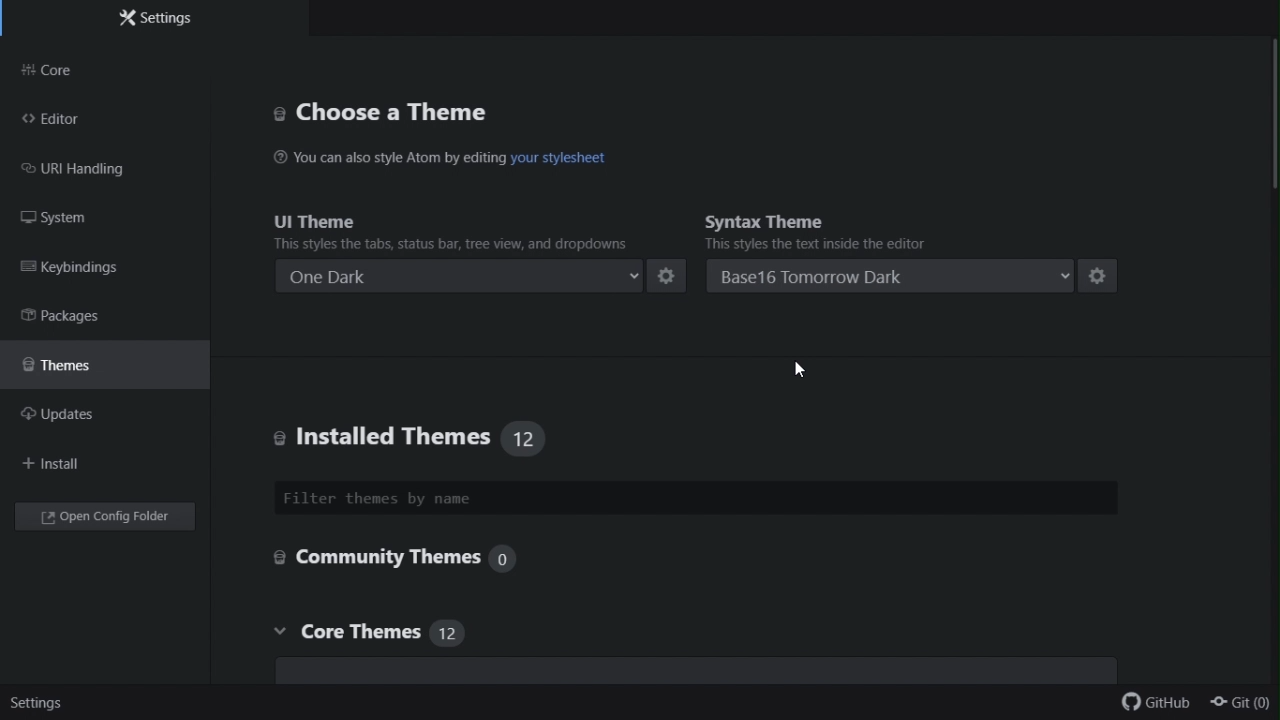 The width and height of the screenshot is (1280, 720). What do you see at coordinates (87, 172) in the screenshot?
I see `URI handling` at bounding box center [87, 172].